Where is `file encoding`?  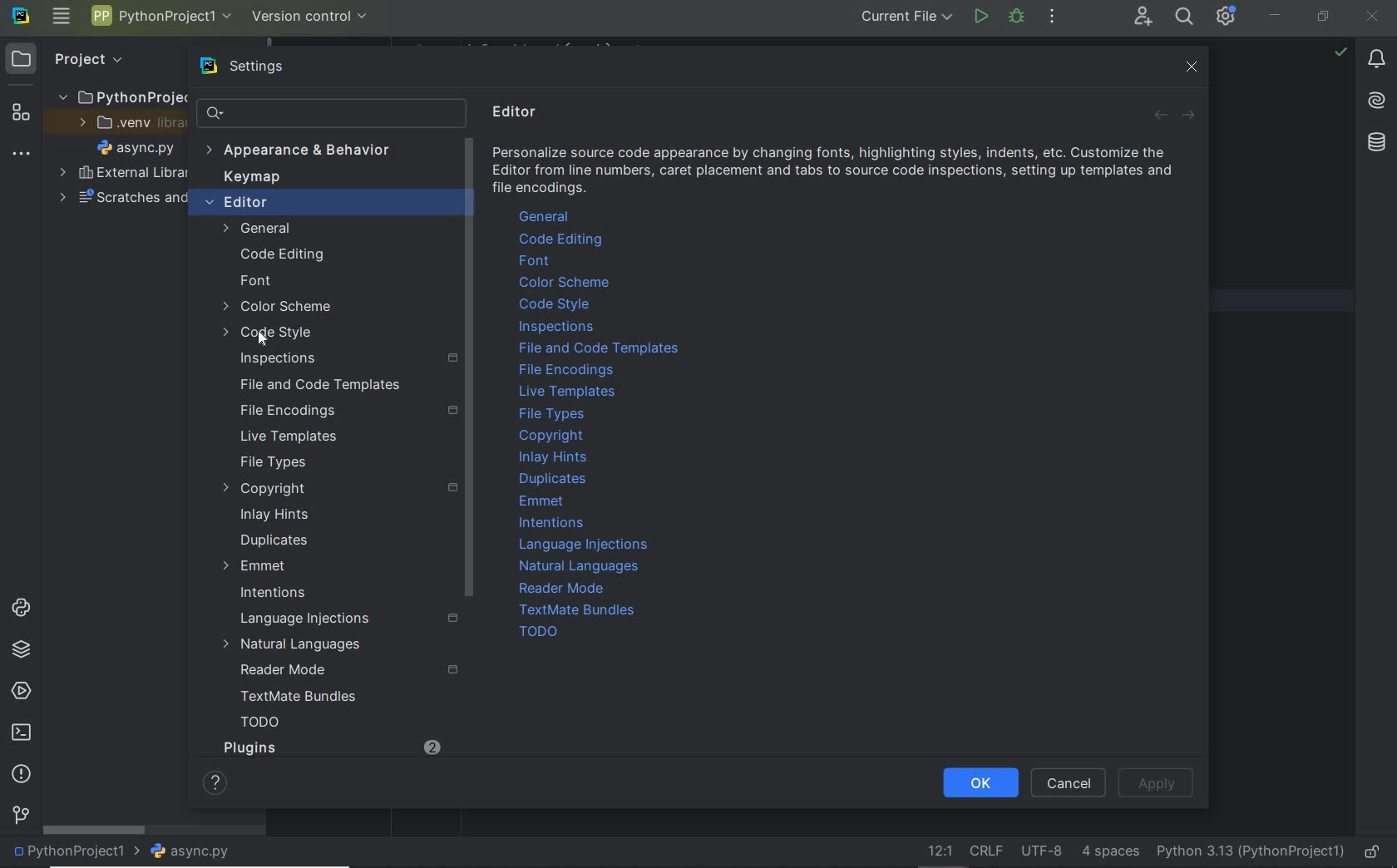 file encoding is located at coordinates (1042, 851).